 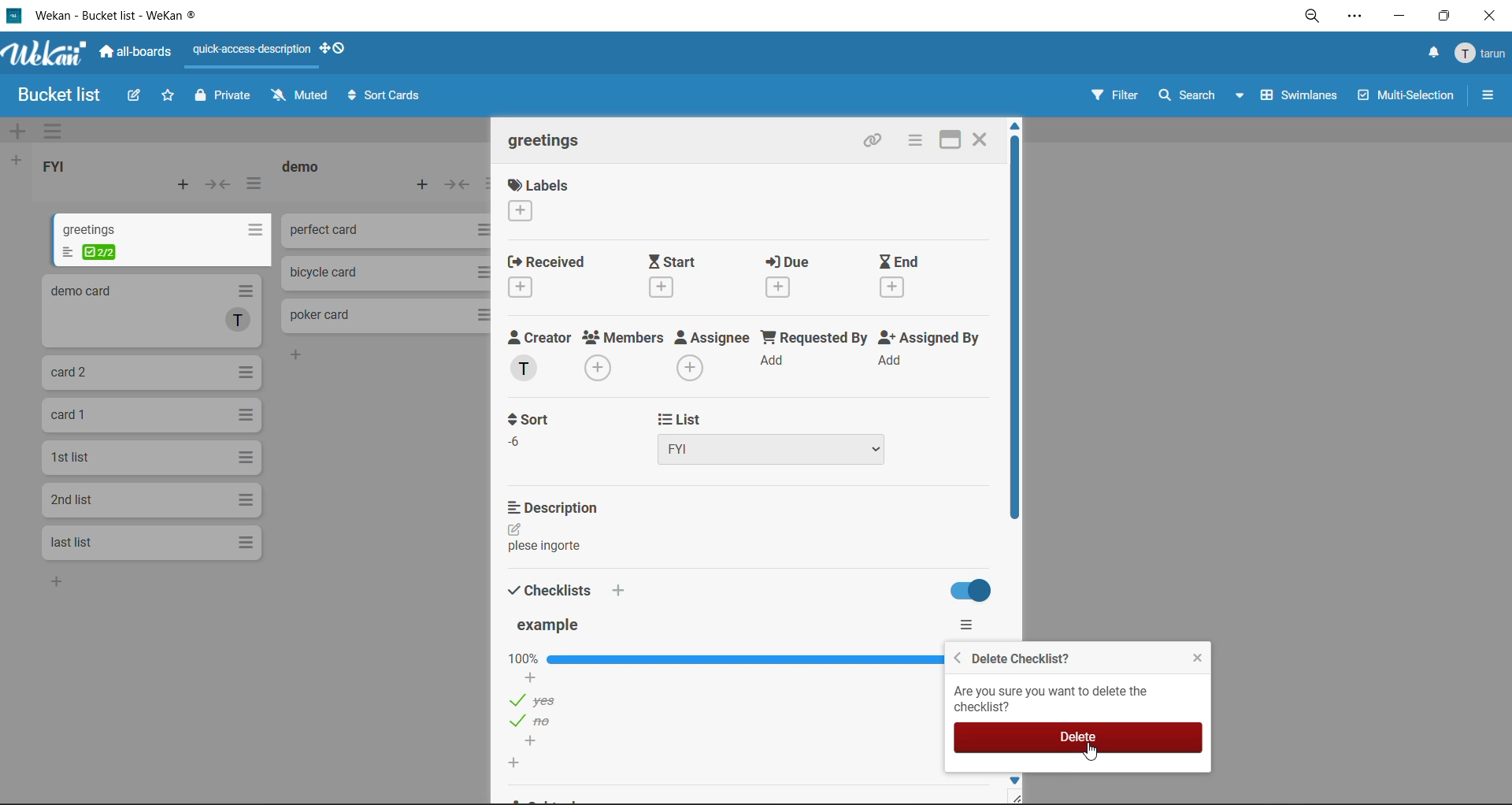 I want to click on cursor, so click(x=1092, y=755).